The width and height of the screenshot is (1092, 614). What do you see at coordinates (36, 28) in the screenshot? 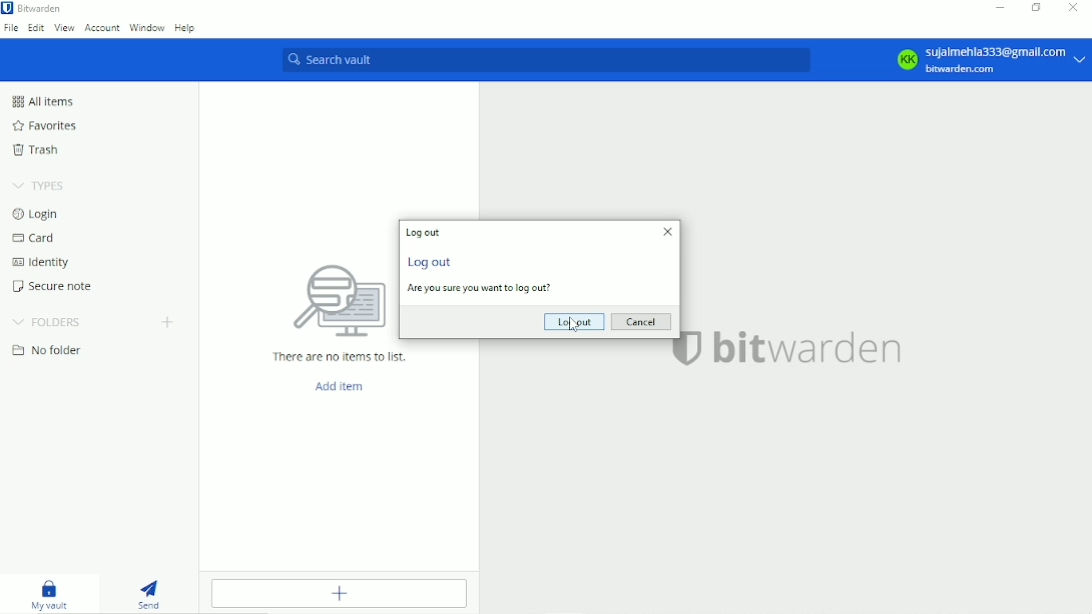
I see `Edit` at bounding box center [36, 28].